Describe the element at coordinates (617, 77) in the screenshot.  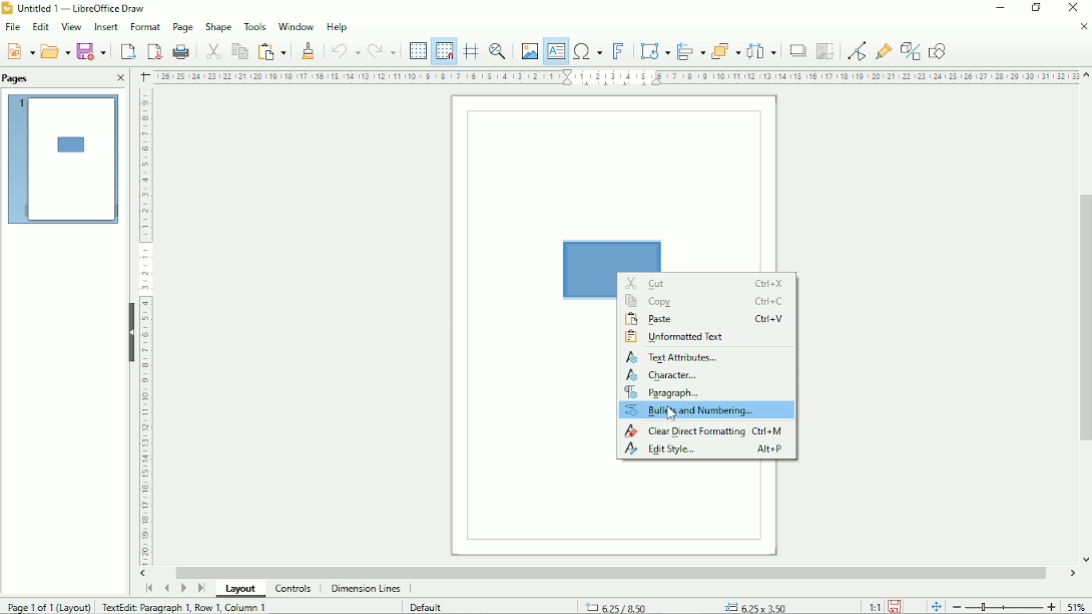
I see `Horizontal scale` at that location.